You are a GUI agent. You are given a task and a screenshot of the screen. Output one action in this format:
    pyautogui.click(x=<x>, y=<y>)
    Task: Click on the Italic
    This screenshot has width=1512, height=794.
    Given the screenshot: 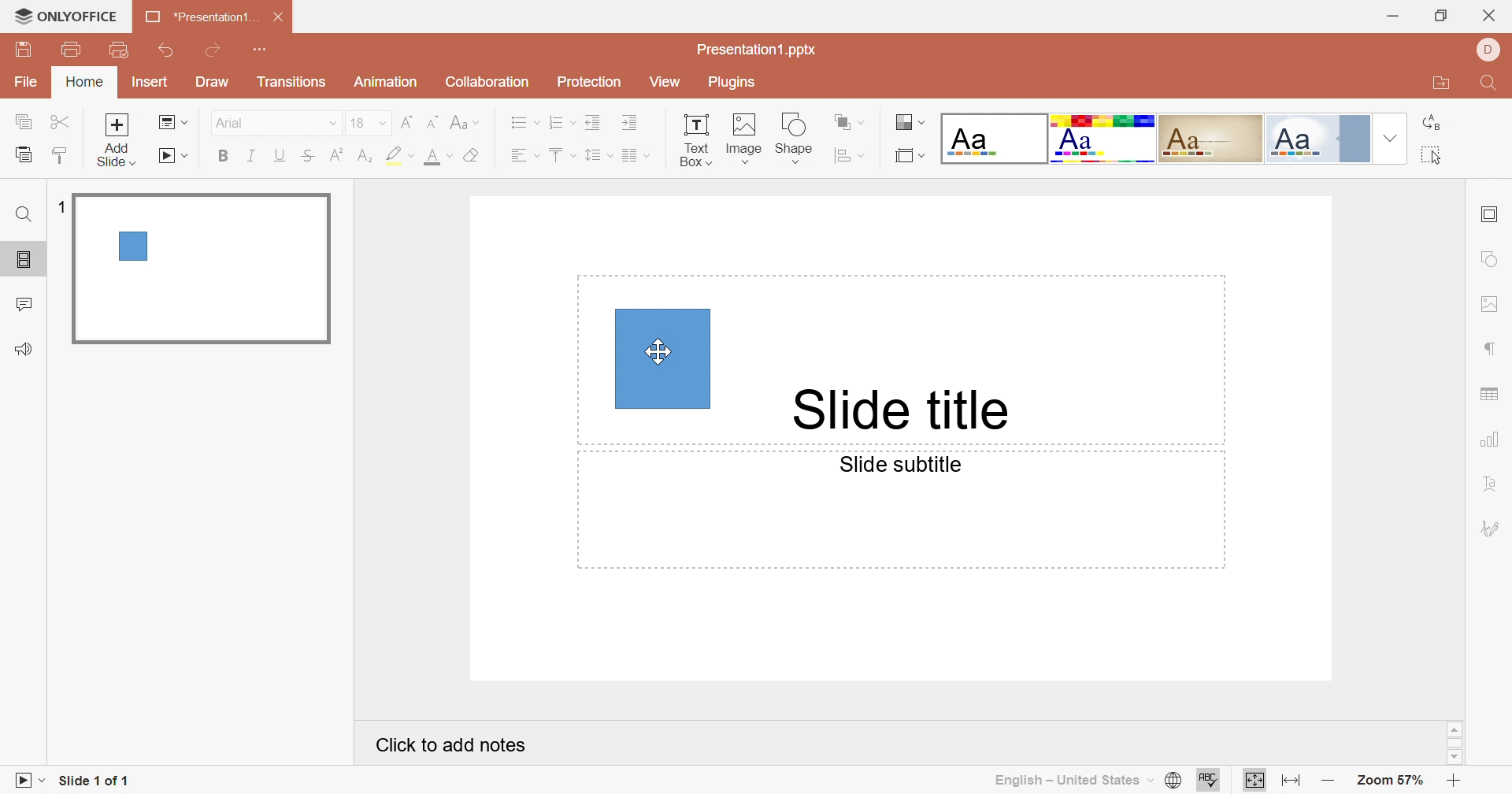 What is the action you would take?
    pyautogui.click(x=252, y=156)
    